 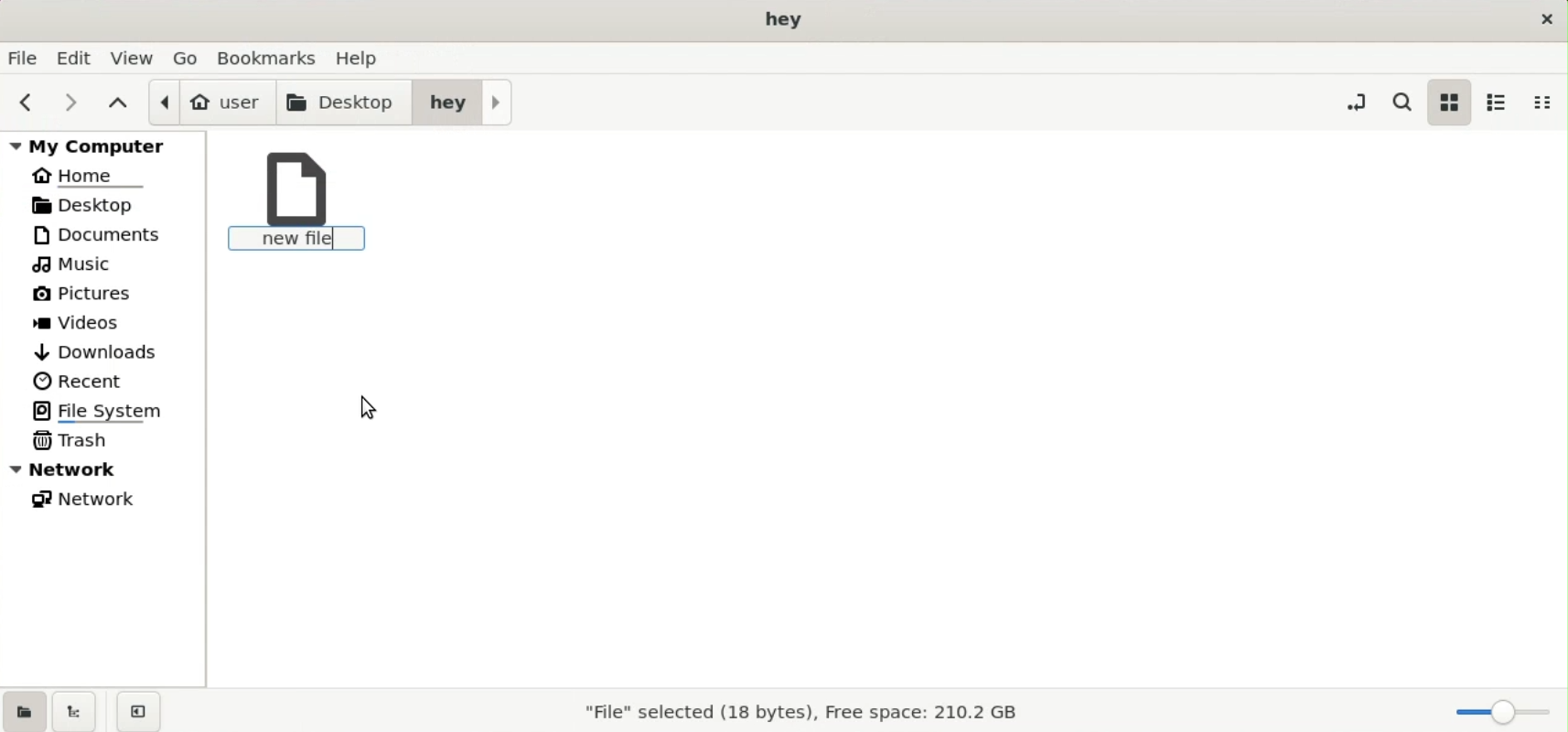 I want to click on new file, so click(x=300, y=203).